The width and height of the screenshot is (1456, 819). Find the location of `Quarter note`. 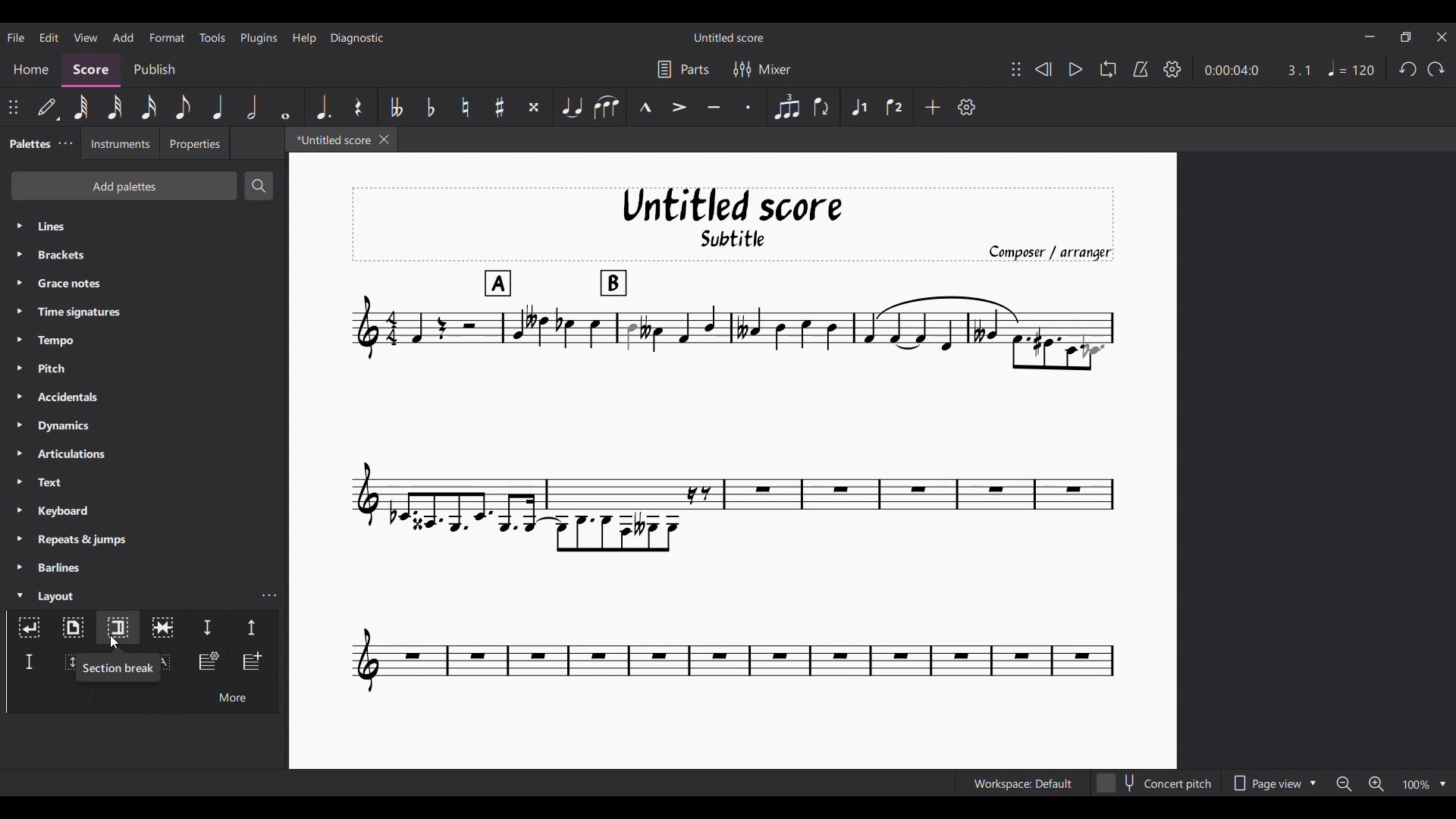

Quarter note is located at coordinates (218, 106).